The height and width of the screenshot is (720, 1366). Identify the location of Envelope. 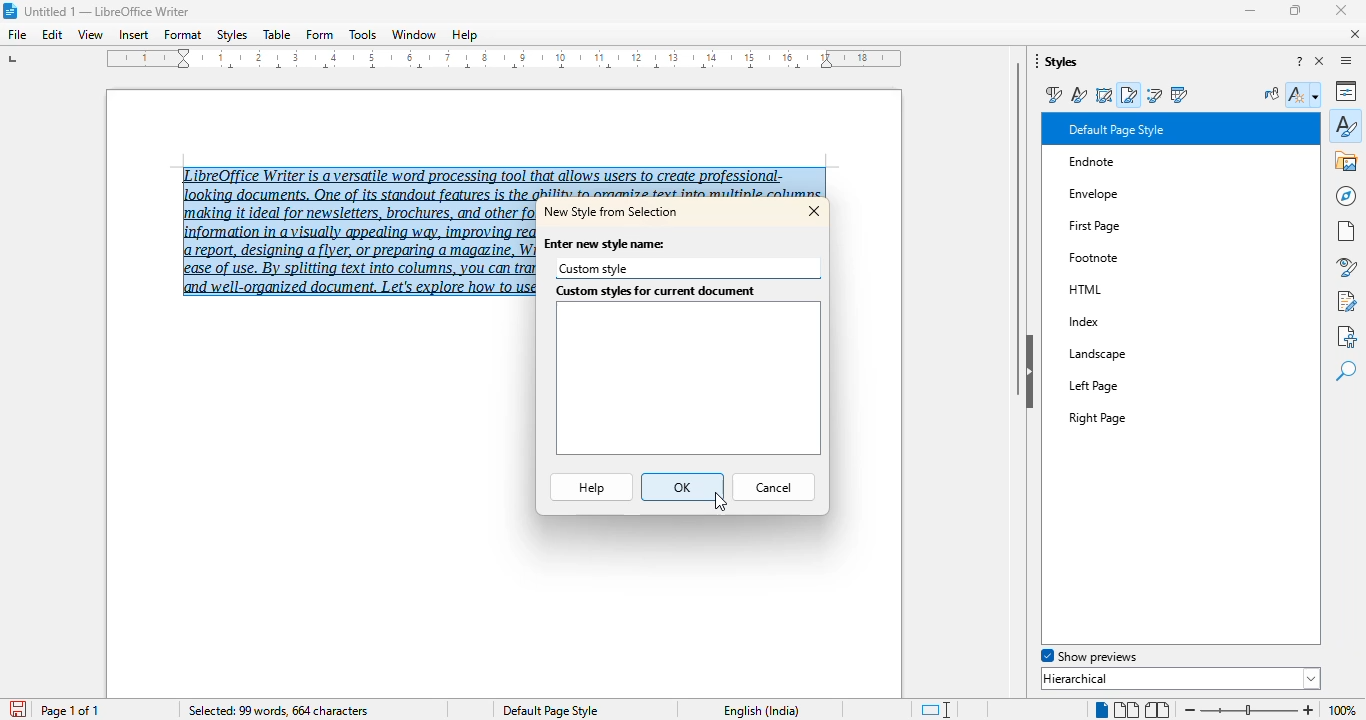
(1136, 190).